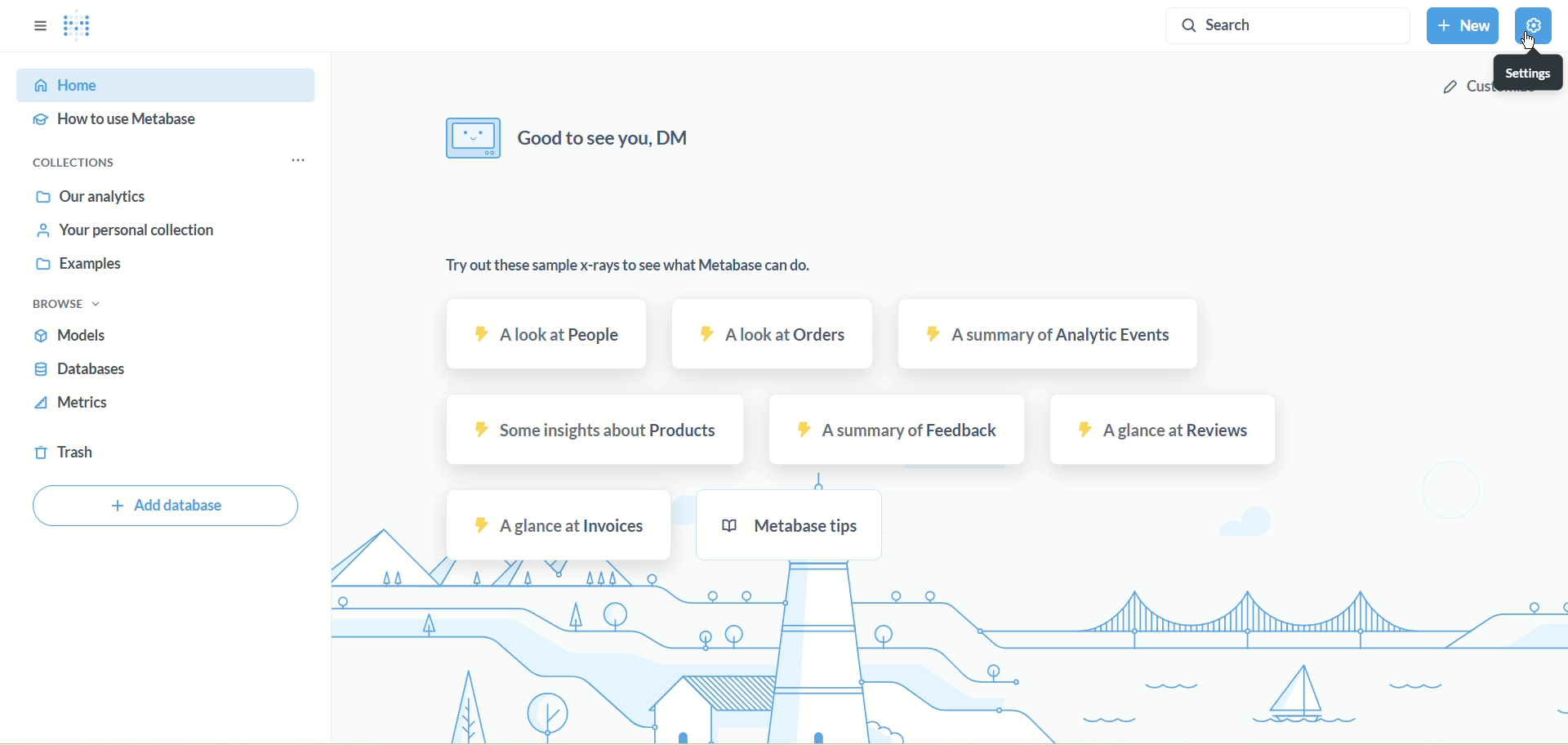  Describe the element at coordinates (558, 525) in the screenshot. I see `a glance at invoices` at that location.